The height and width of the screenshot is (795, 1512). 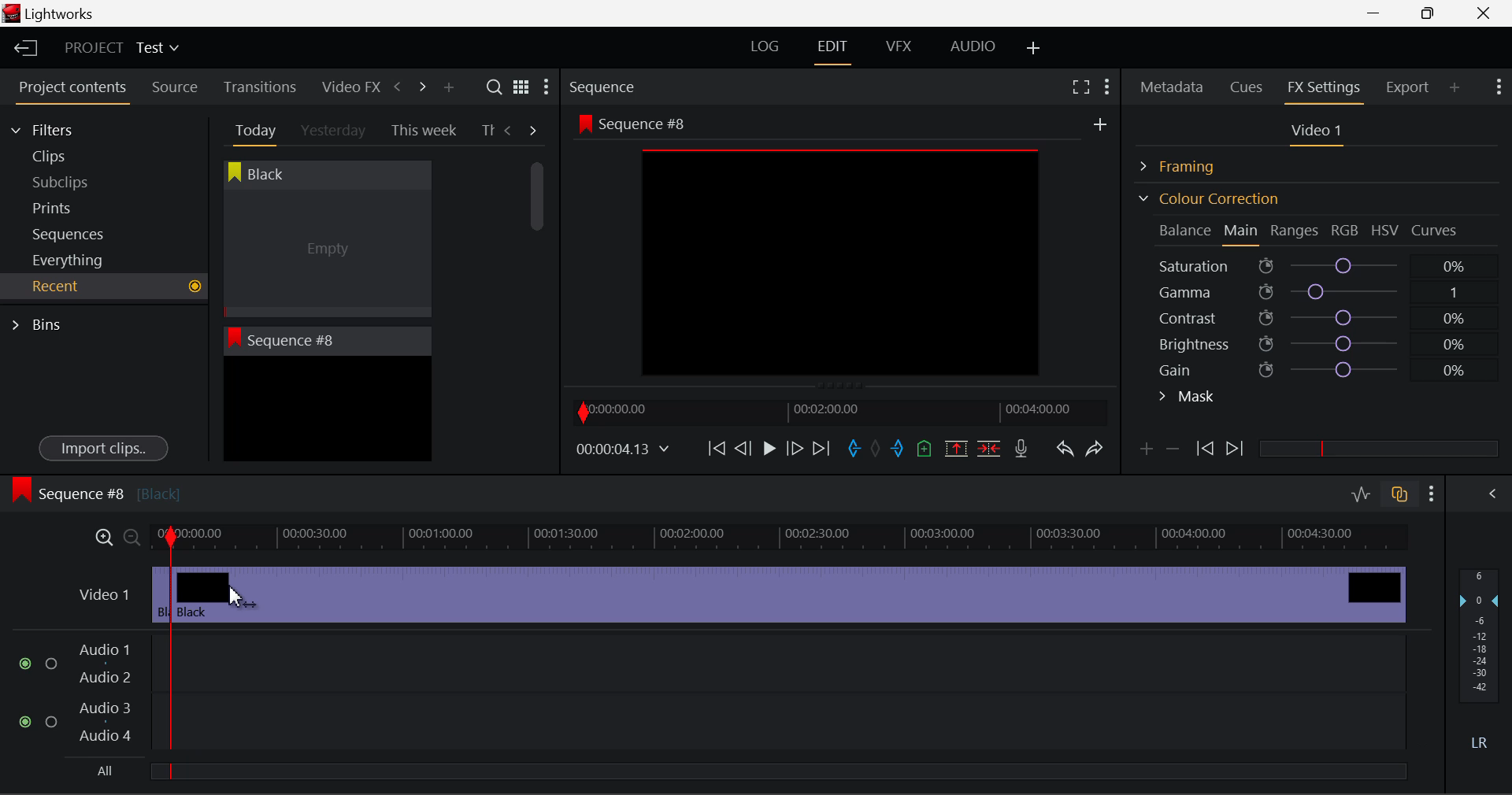 I want to click on Toggle audio track sync, so click(x=1400, y=493).